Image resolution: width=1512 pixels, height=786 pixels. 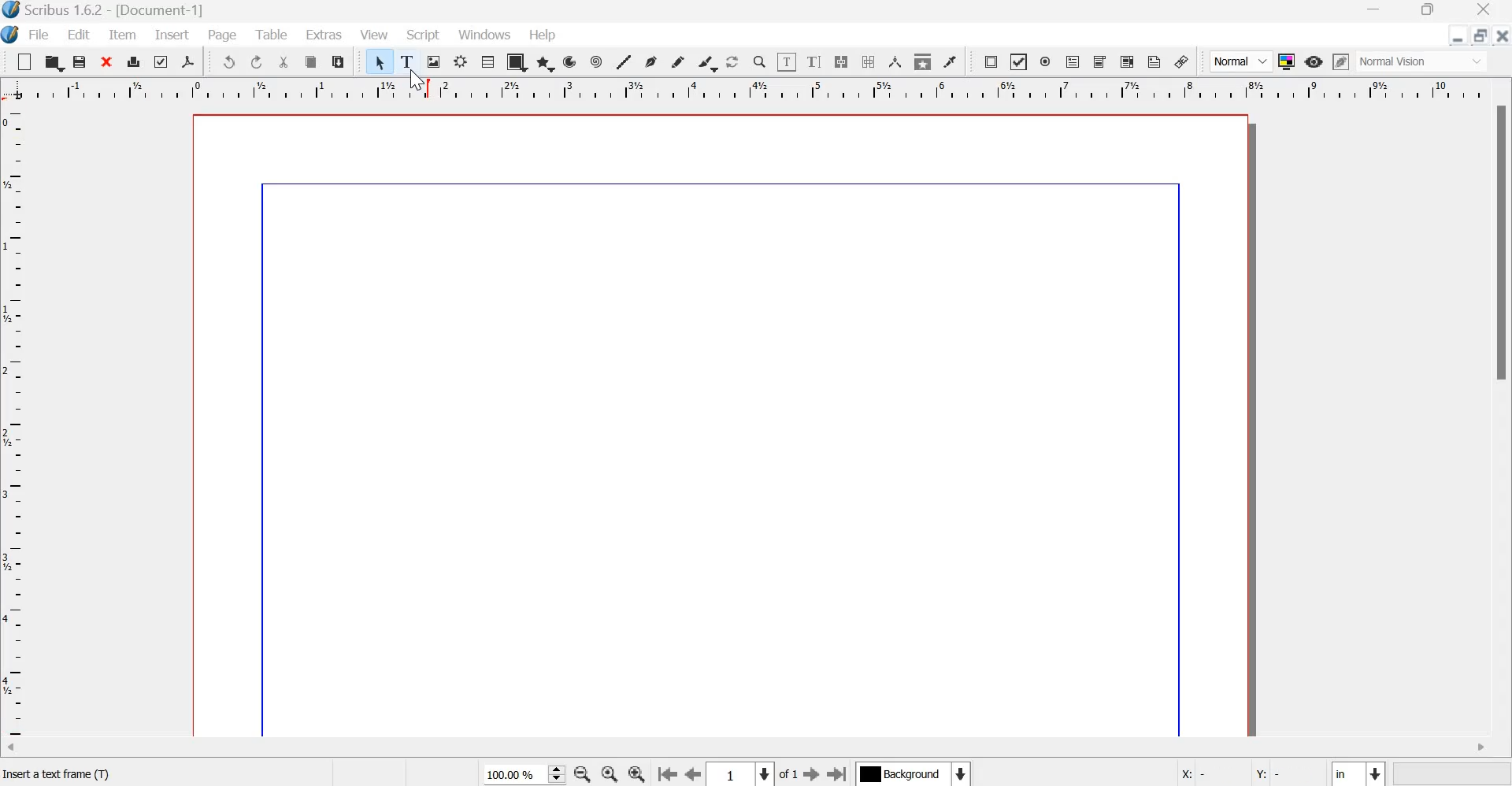 I want to click on select the current unit, so click(x=1358, y=772).